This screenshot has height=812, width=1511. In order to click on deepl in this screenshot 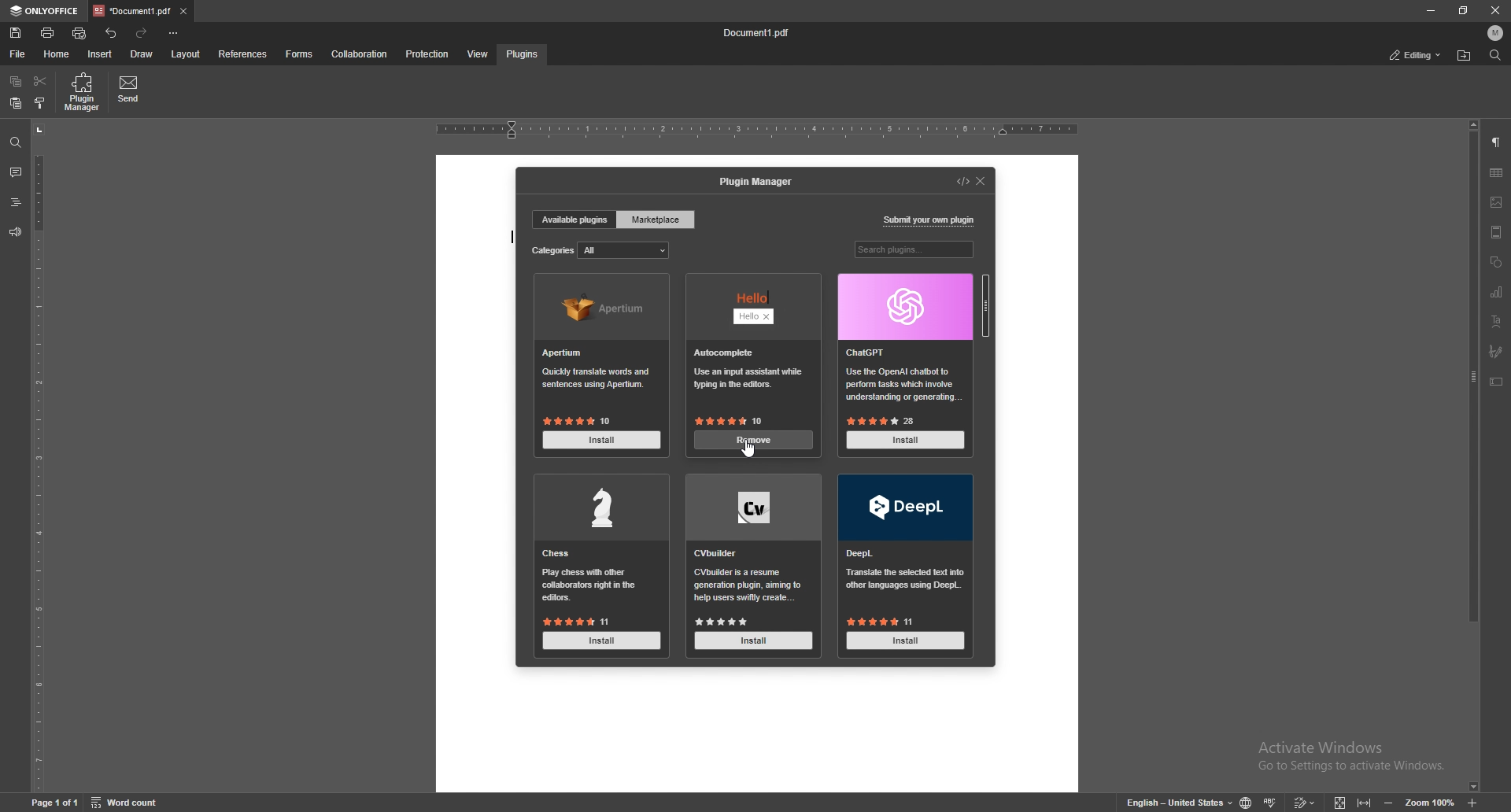, I will do `click(908, 549)`.